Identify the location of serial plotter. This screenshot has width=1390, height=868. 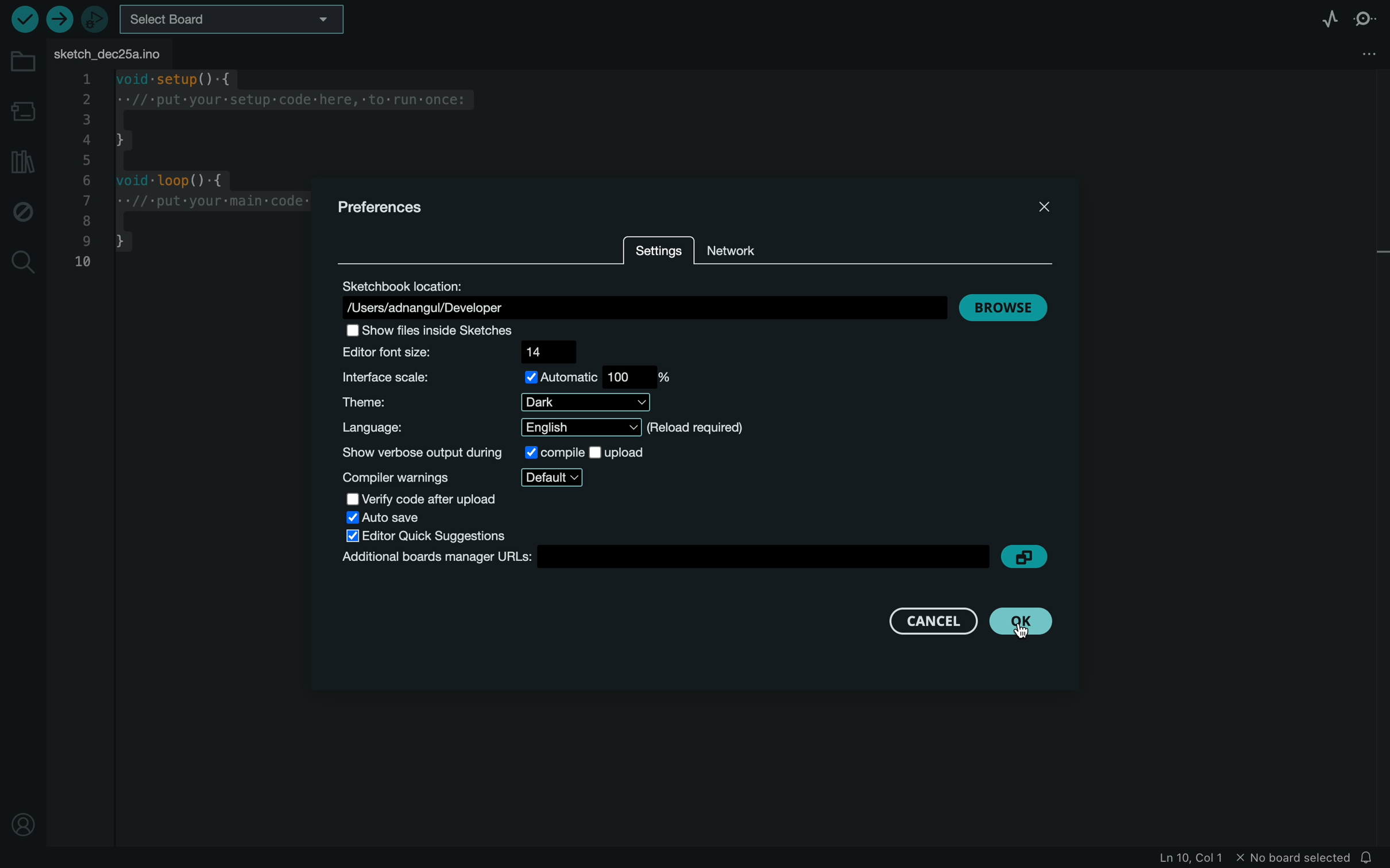
(1326, 18).